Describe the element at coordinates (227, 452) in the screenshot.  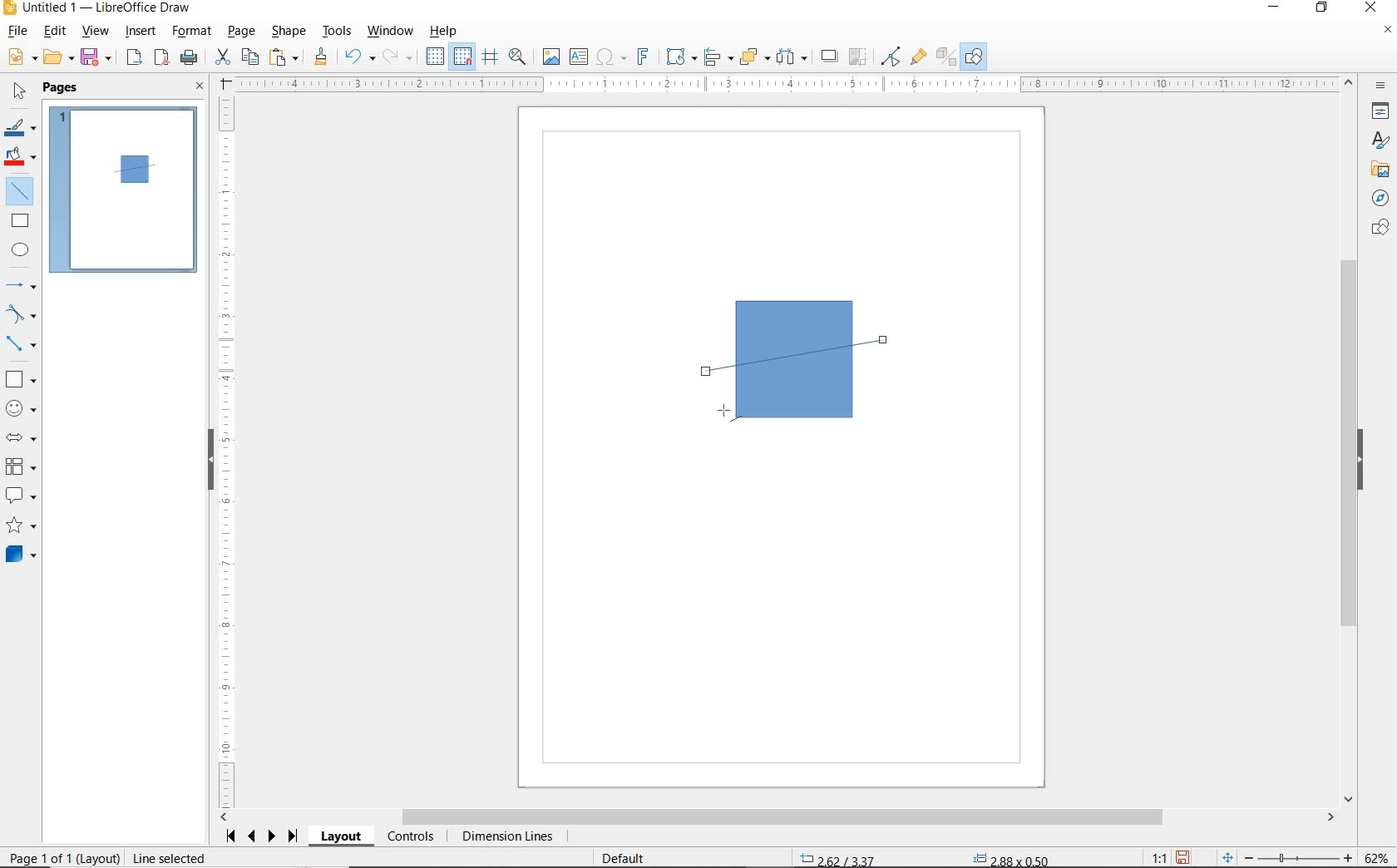
I see `RULER` at that location.